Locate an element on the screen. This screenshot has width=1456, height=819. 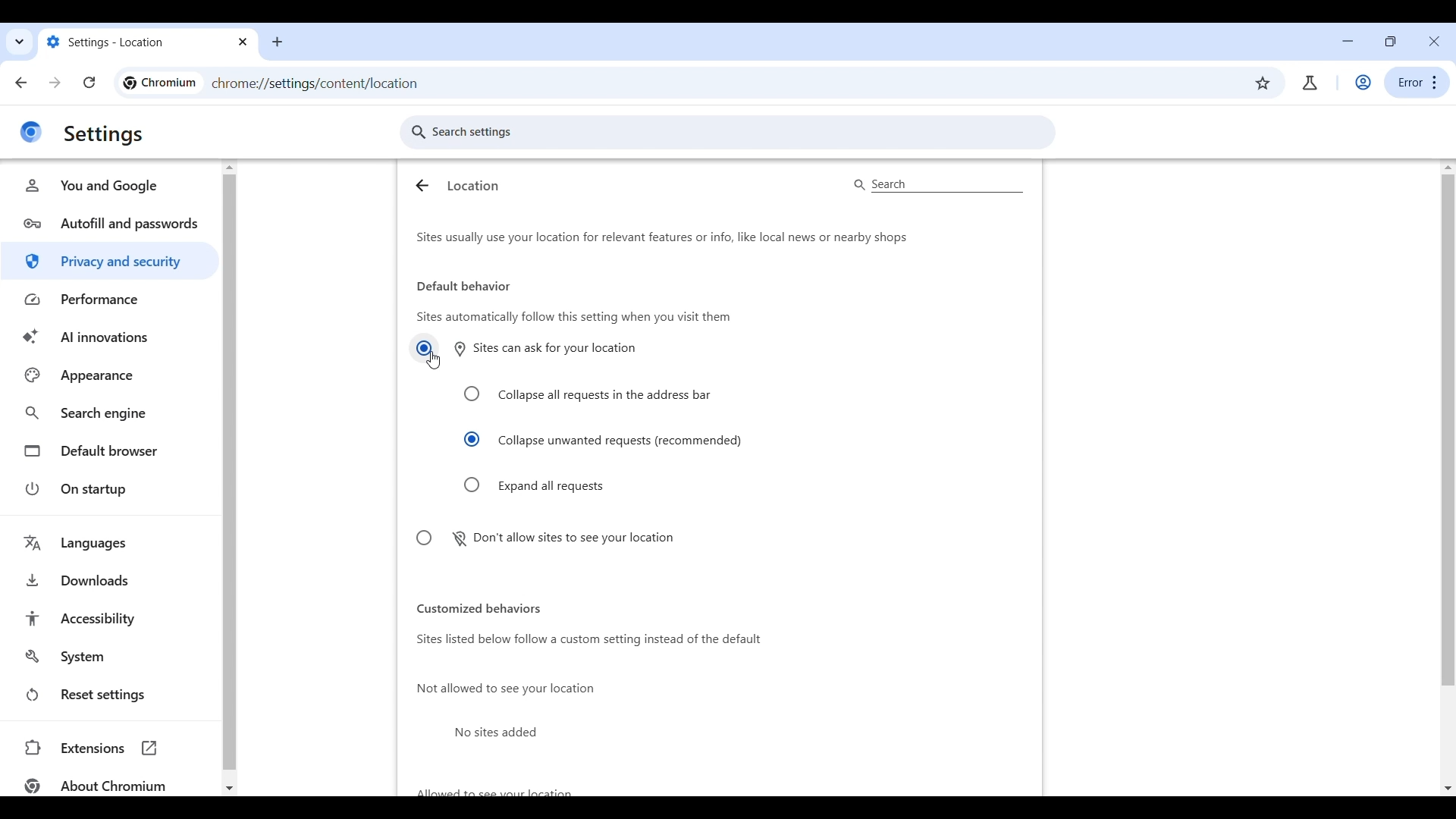
No sites added is located at coordinates (522, 736).